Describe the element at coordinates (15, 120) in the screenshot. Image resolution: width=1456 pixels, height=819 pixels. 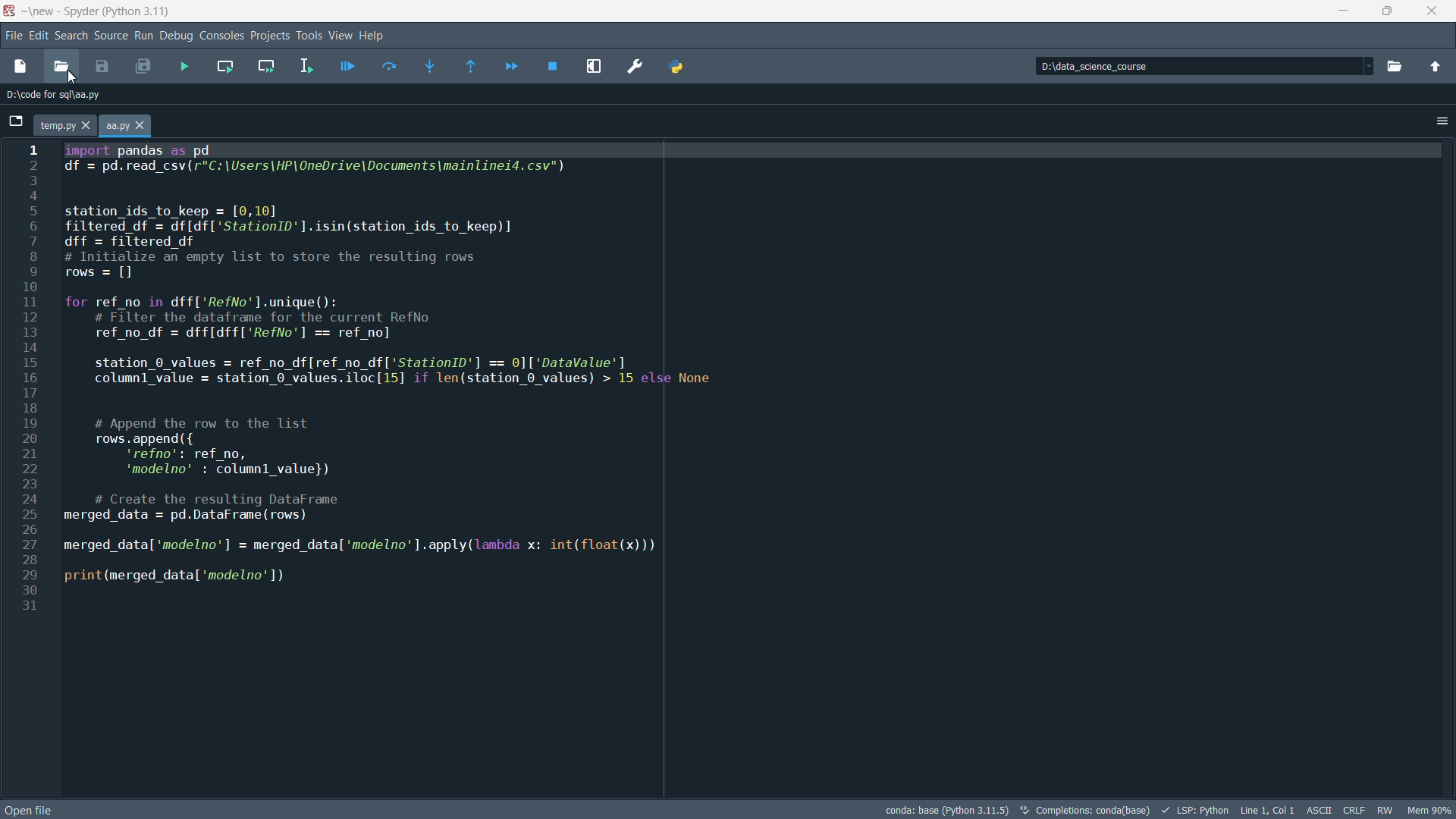
I see `browse tab` at that location.